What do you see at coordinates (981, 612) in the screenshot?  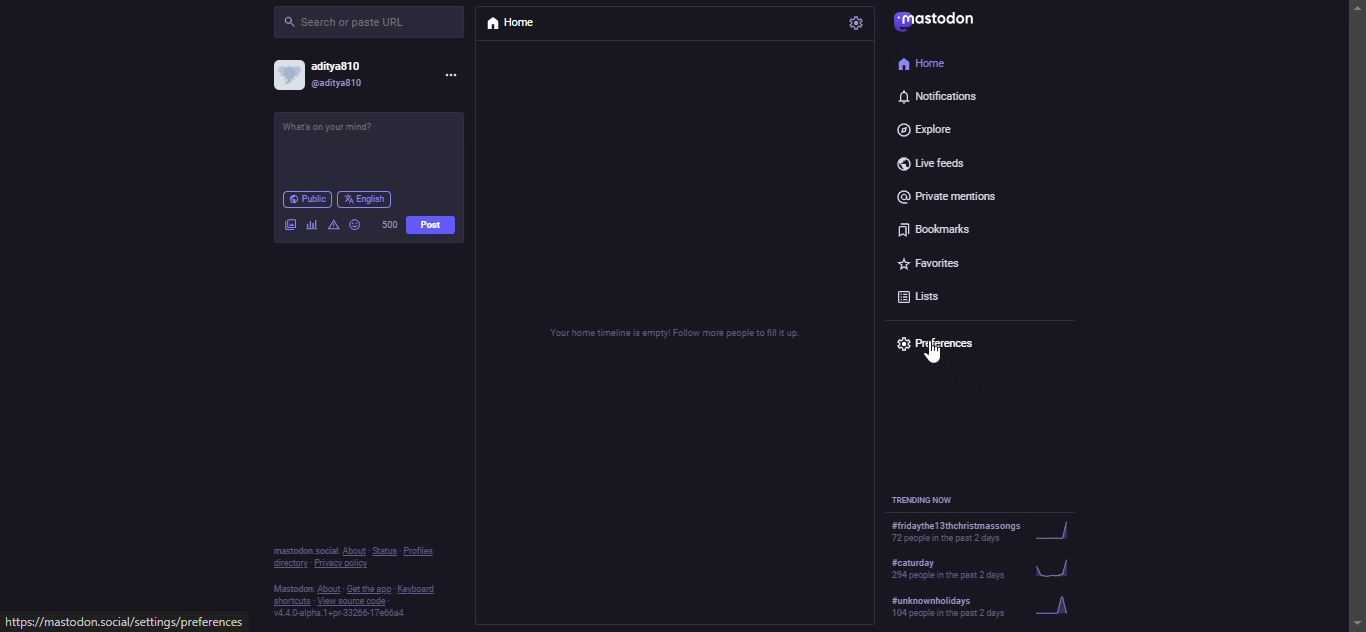 I see `trending` at bounding box center [981, 612].